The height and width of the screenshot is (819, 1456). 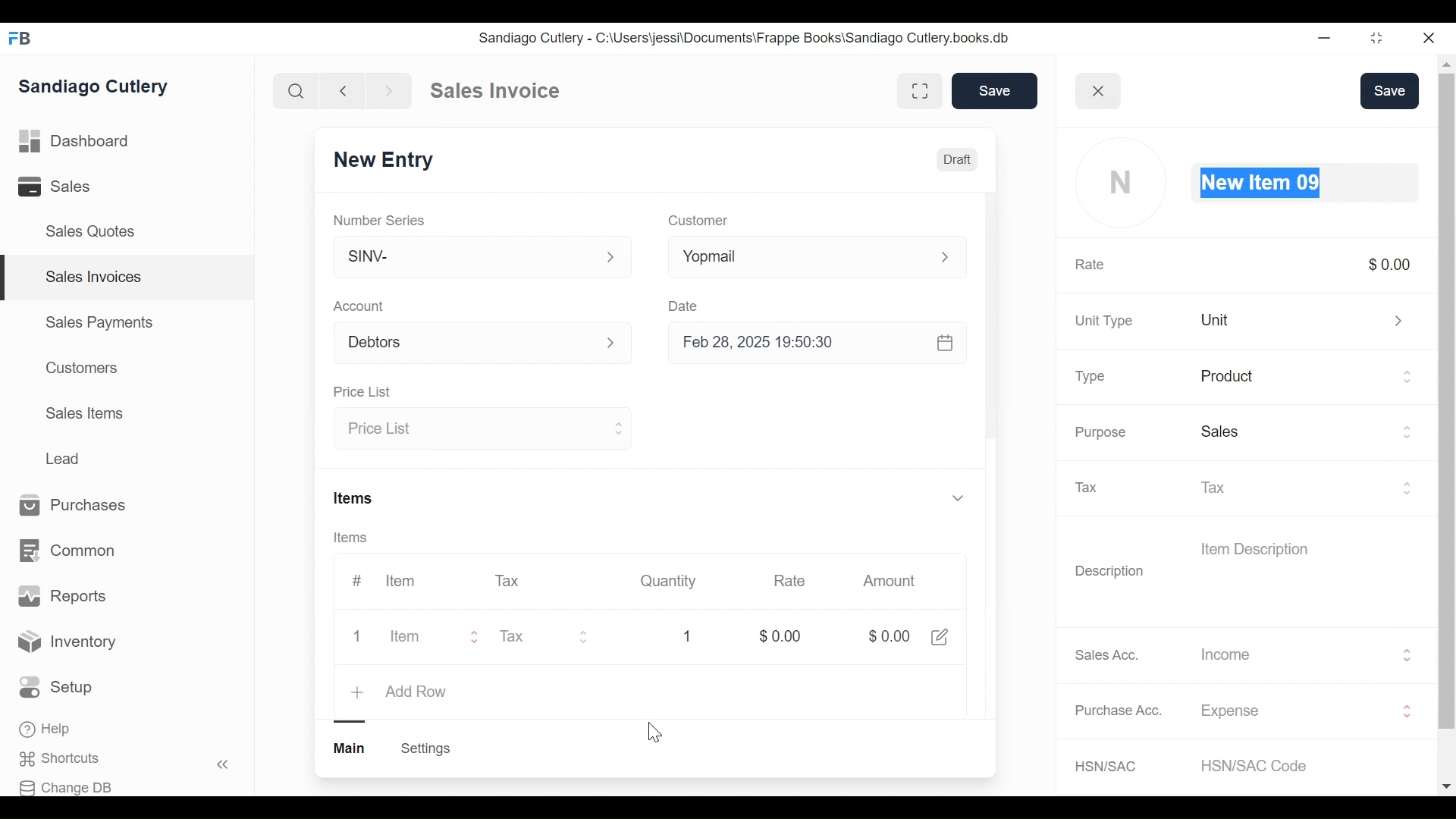 I want to click on Feb 28, 2025 19:50:30 &, so click(x=822, y=345).